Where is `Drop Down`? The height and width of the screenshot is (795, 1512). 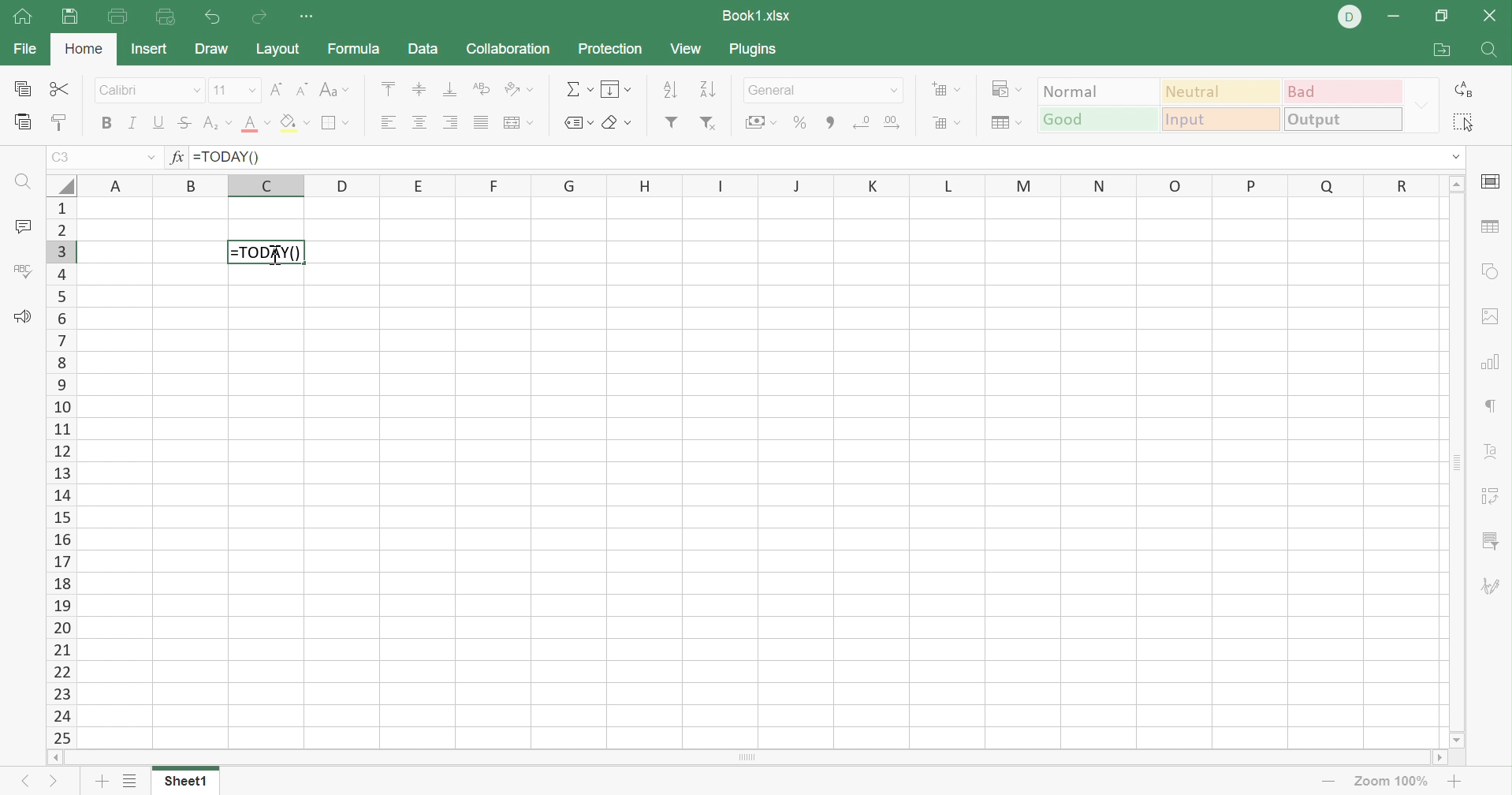 Drop Down is located at coordinates (1419, 104).